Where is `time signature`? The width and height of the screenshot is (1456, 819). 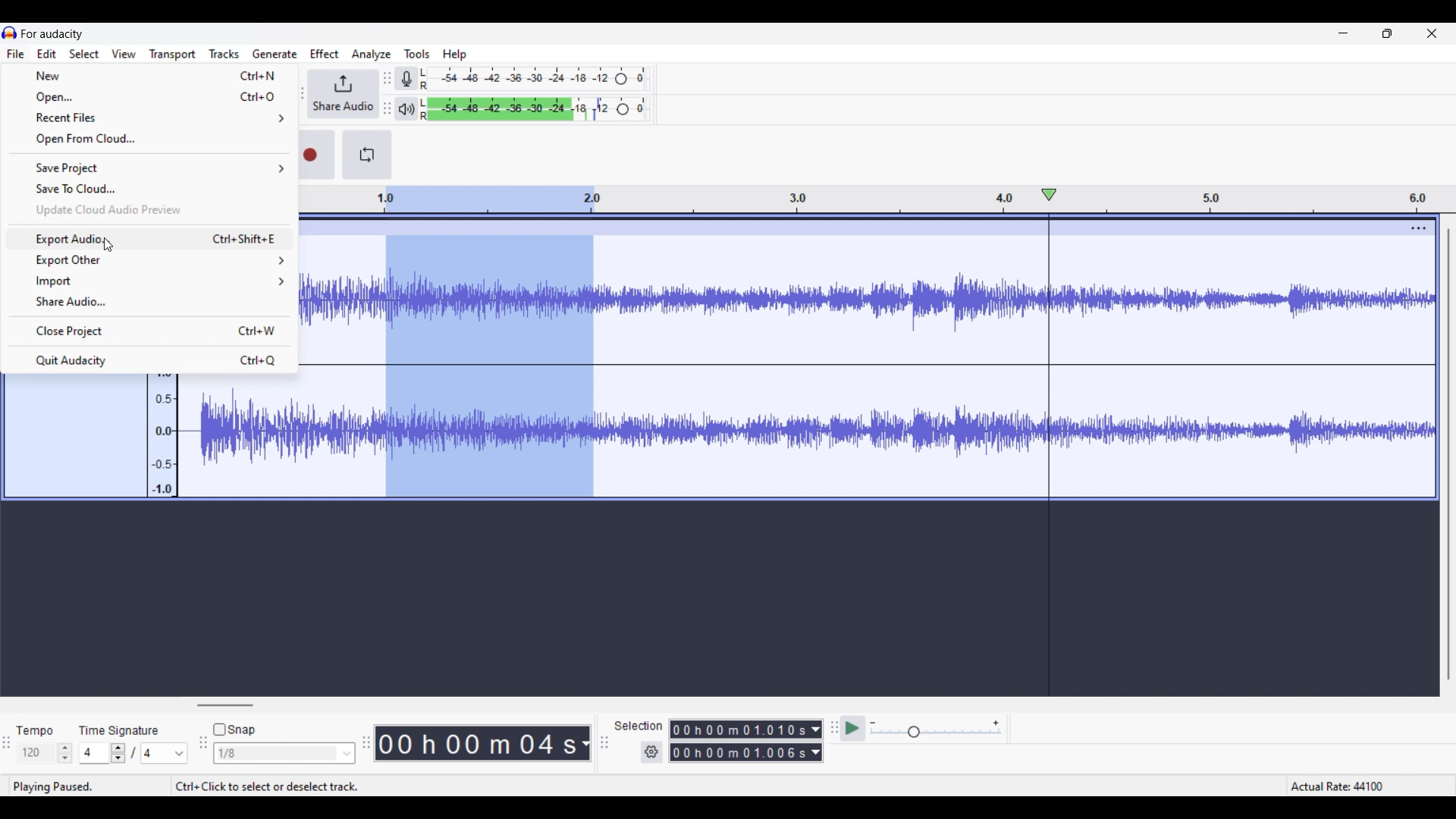
time signature is located at coordinates (119, 730).